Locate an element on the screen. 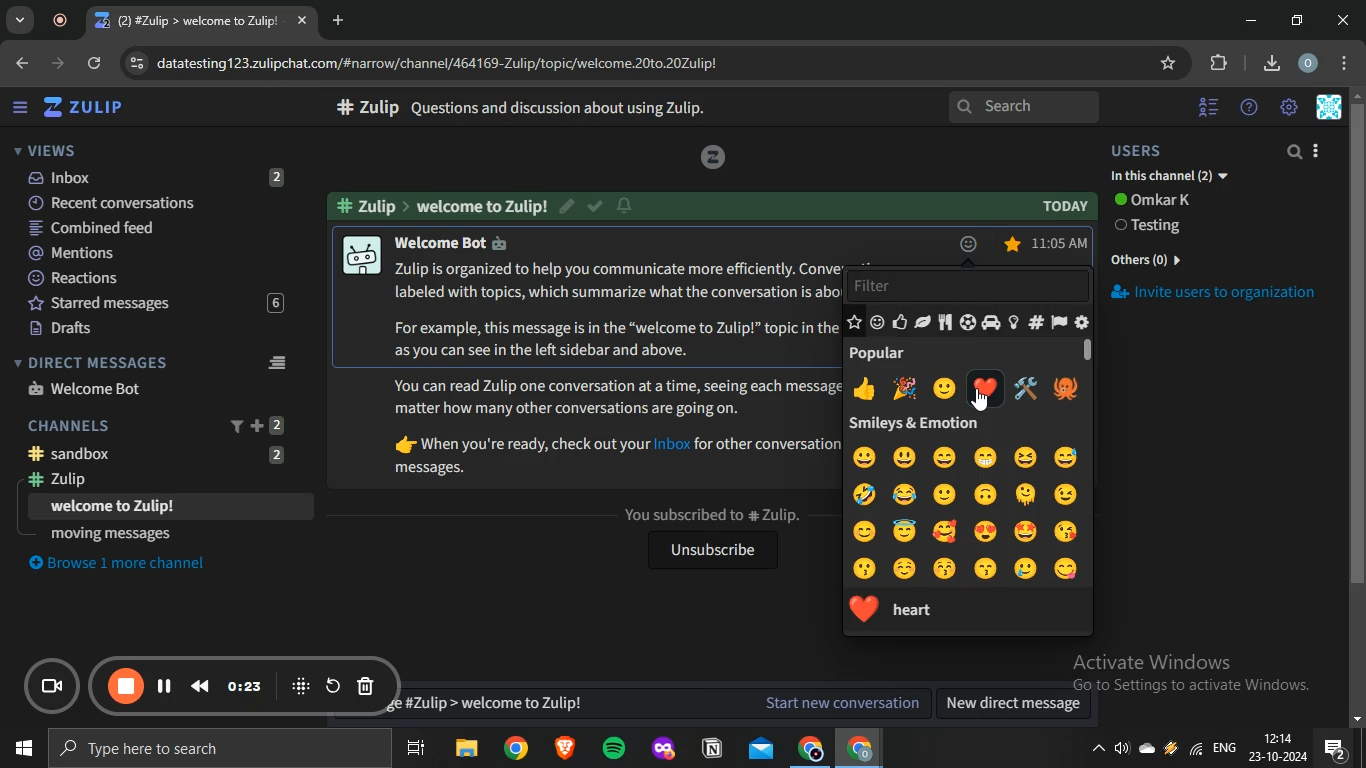  message actions is located at coordinates (993, 242).